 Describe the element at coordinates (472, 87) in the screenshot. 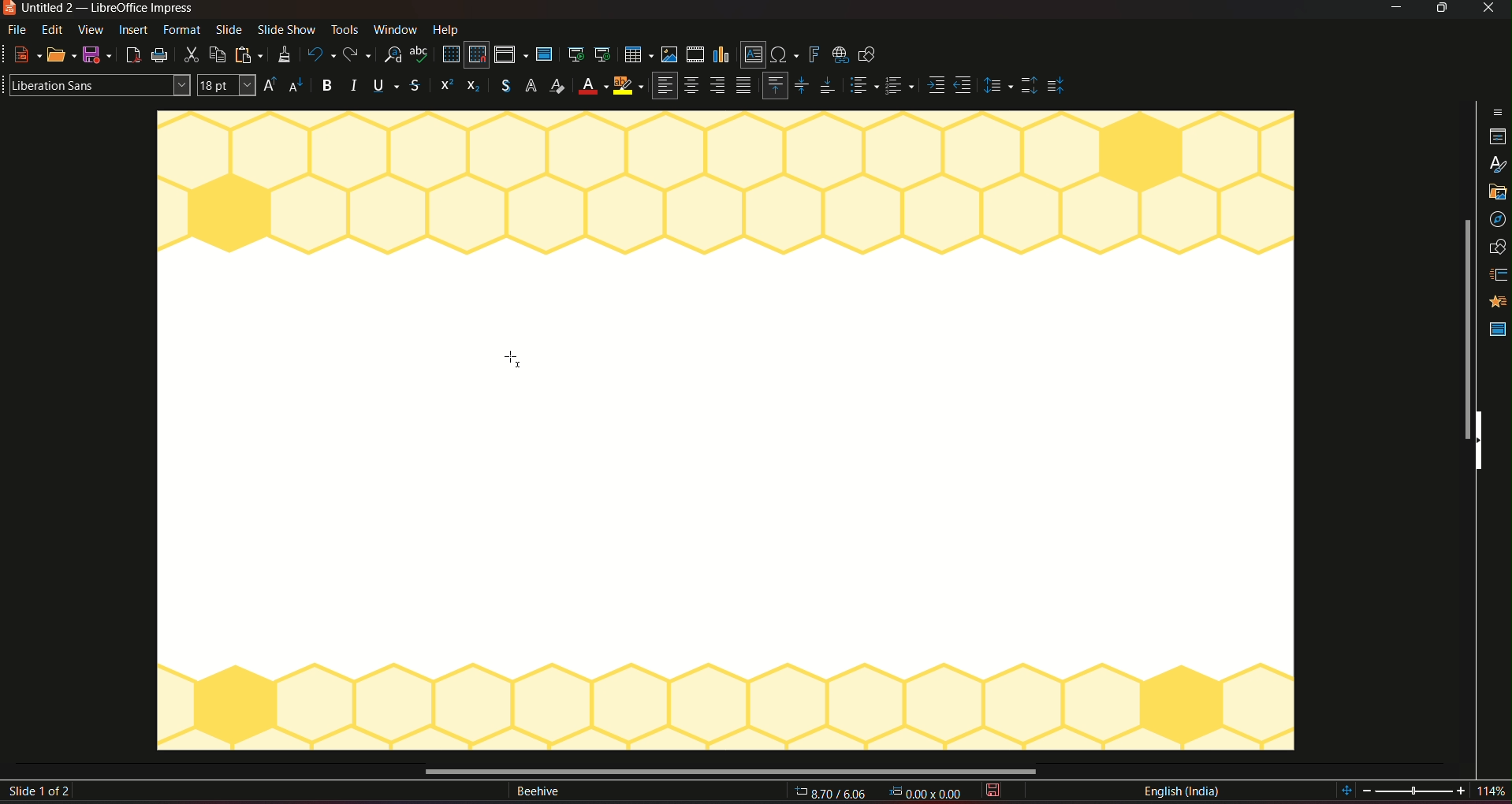

I see `icon` at that location.